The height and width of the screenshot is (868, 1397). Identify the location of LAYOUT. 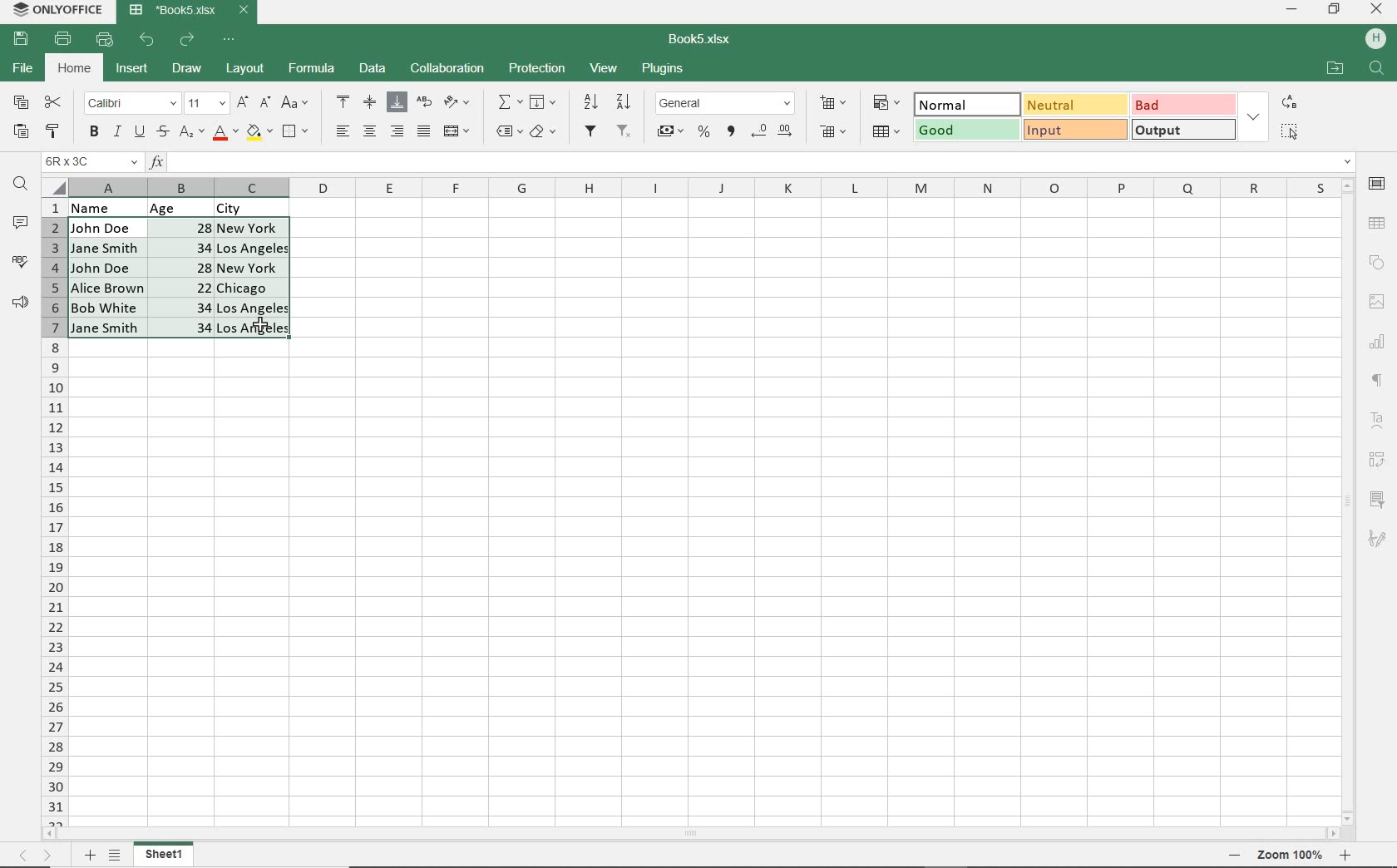
(243, 70).